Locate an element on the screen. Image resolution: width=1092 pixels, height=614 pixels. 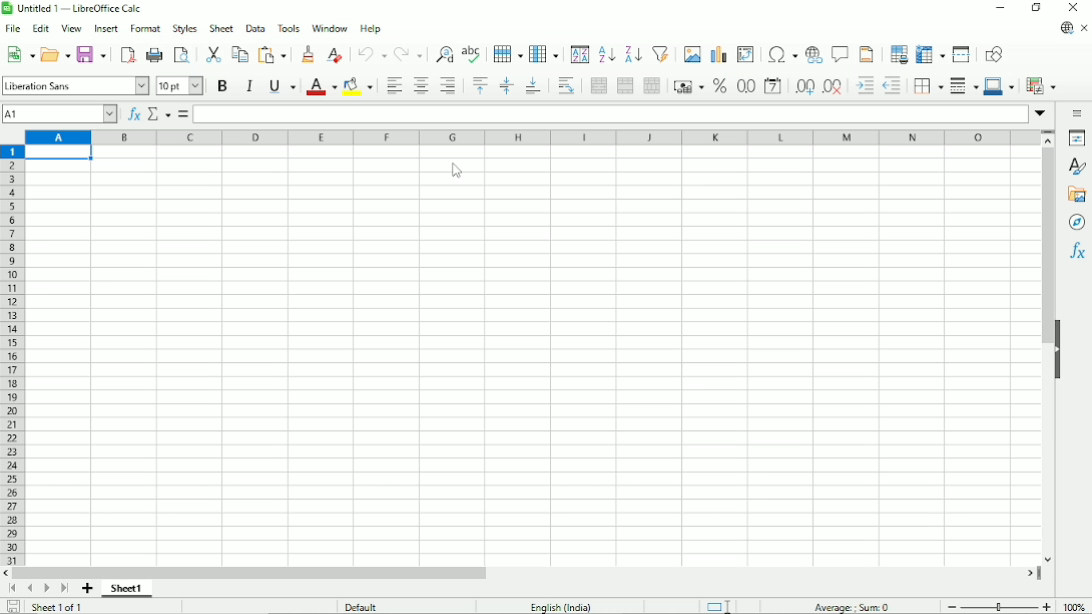
Merge and center is located at coordinates (599, 87).